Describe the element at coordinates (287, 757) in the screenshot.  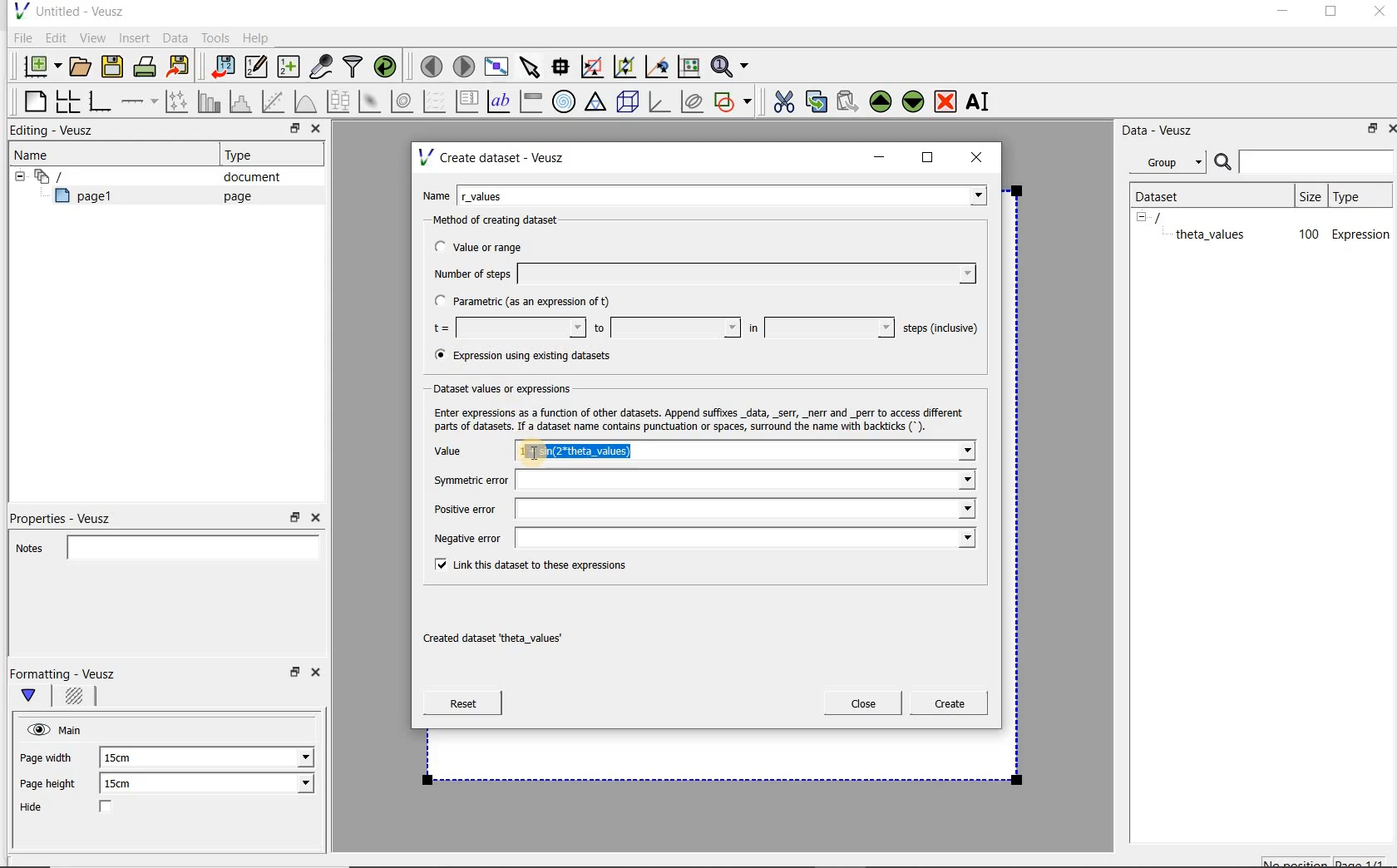
I see `Page width dropdown` at that location.